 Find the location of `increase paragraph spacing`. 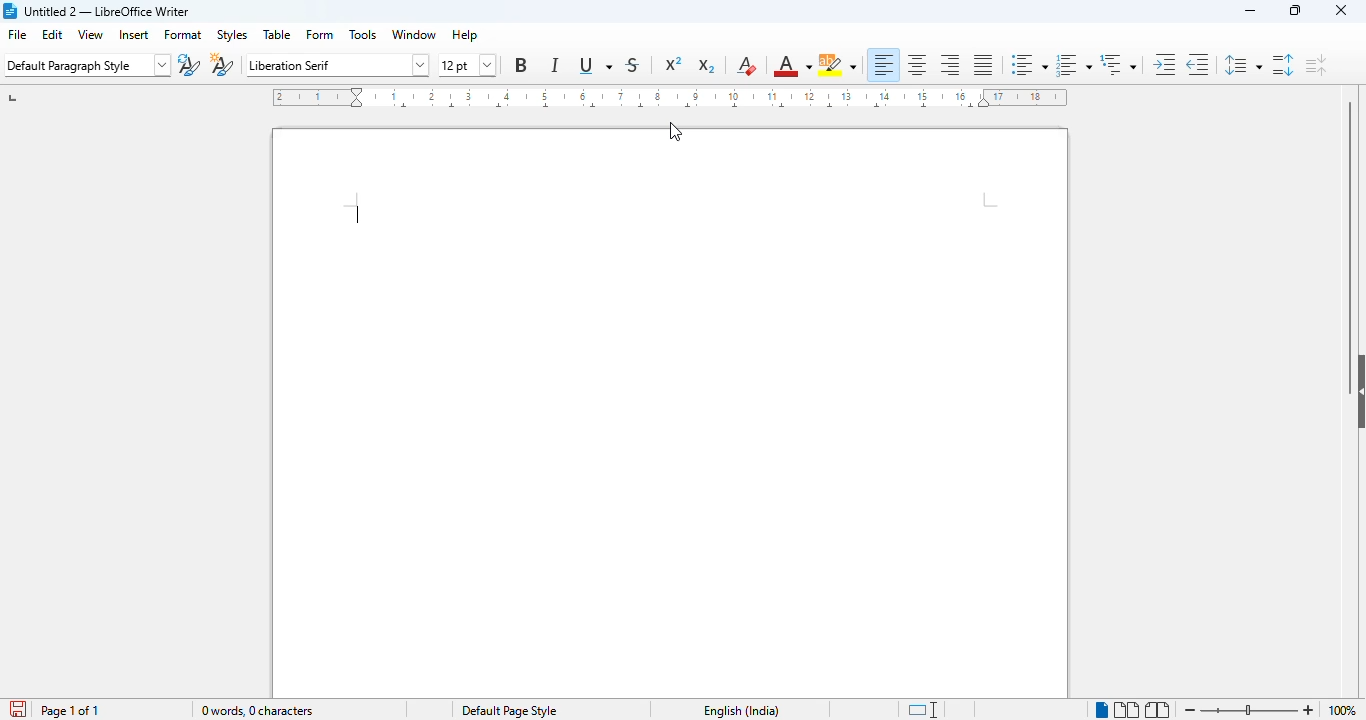

increase paragraph spacing is located at coordinates (1284, 65).